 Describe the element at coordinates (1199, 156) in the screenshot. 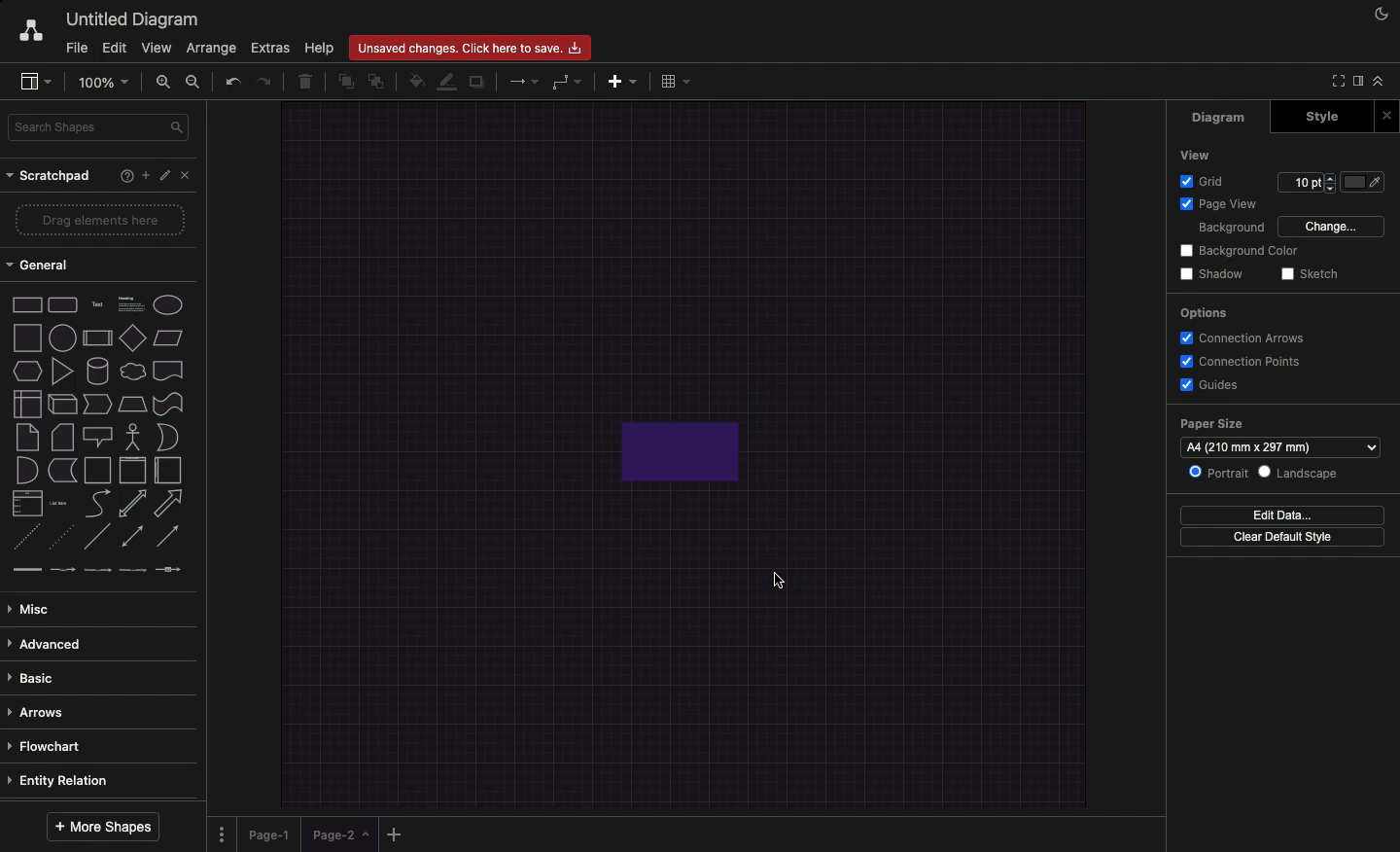

I see `View` at that location.